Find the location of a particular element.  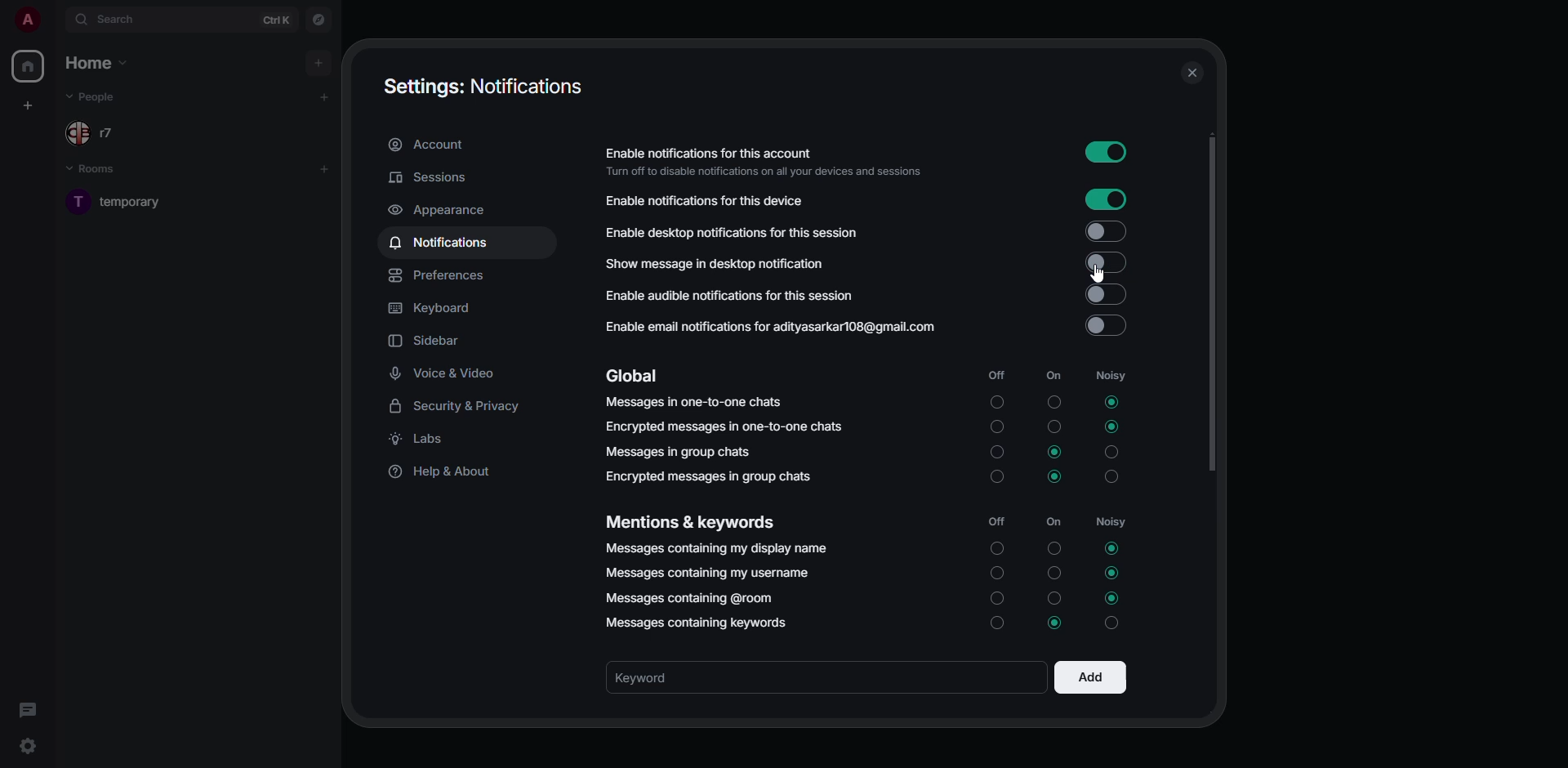

navigator is located at coordinates (317, 19).